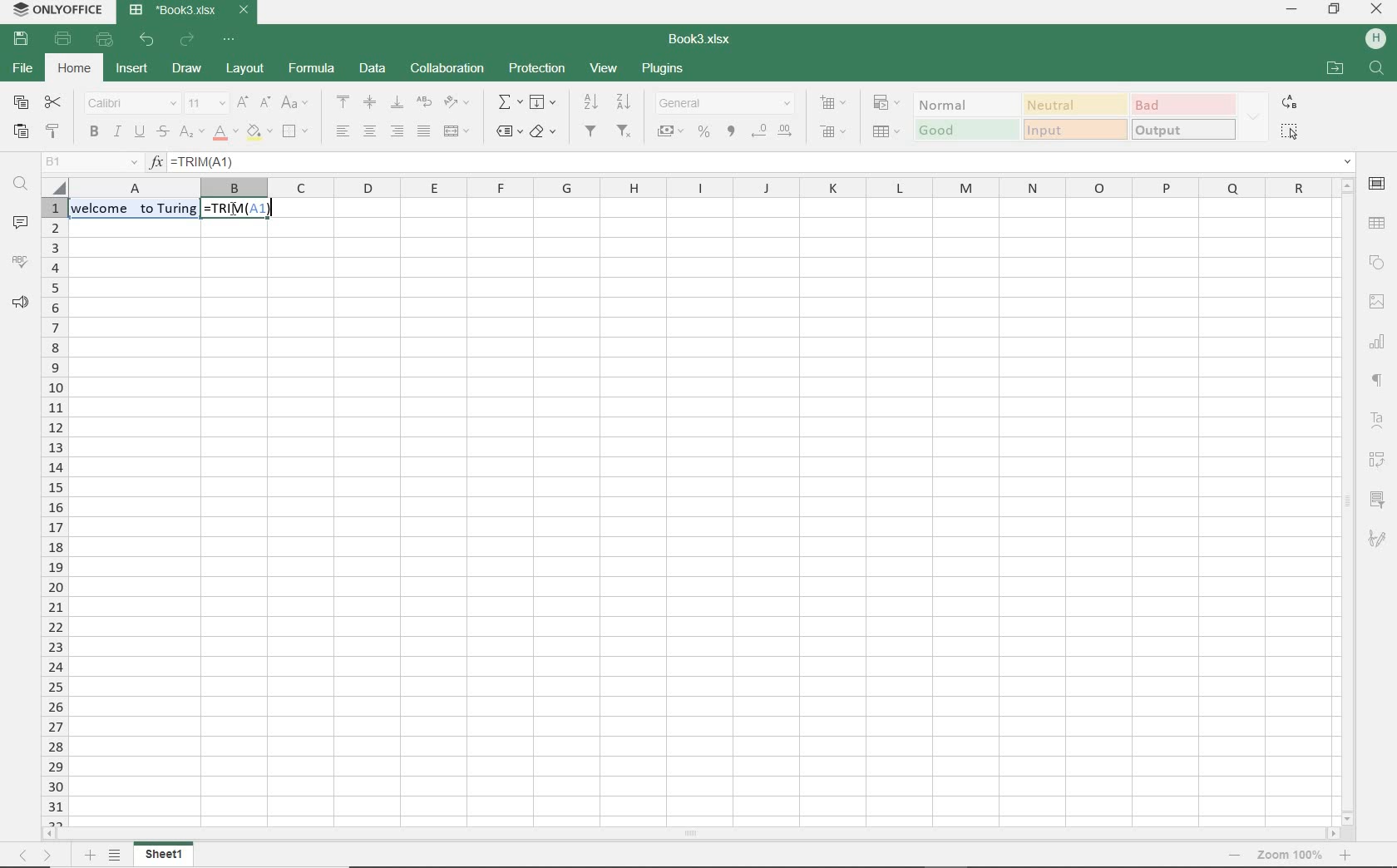  Describe the element at coordinates (187, 69) in the screenshot. I see `draw` at that location.